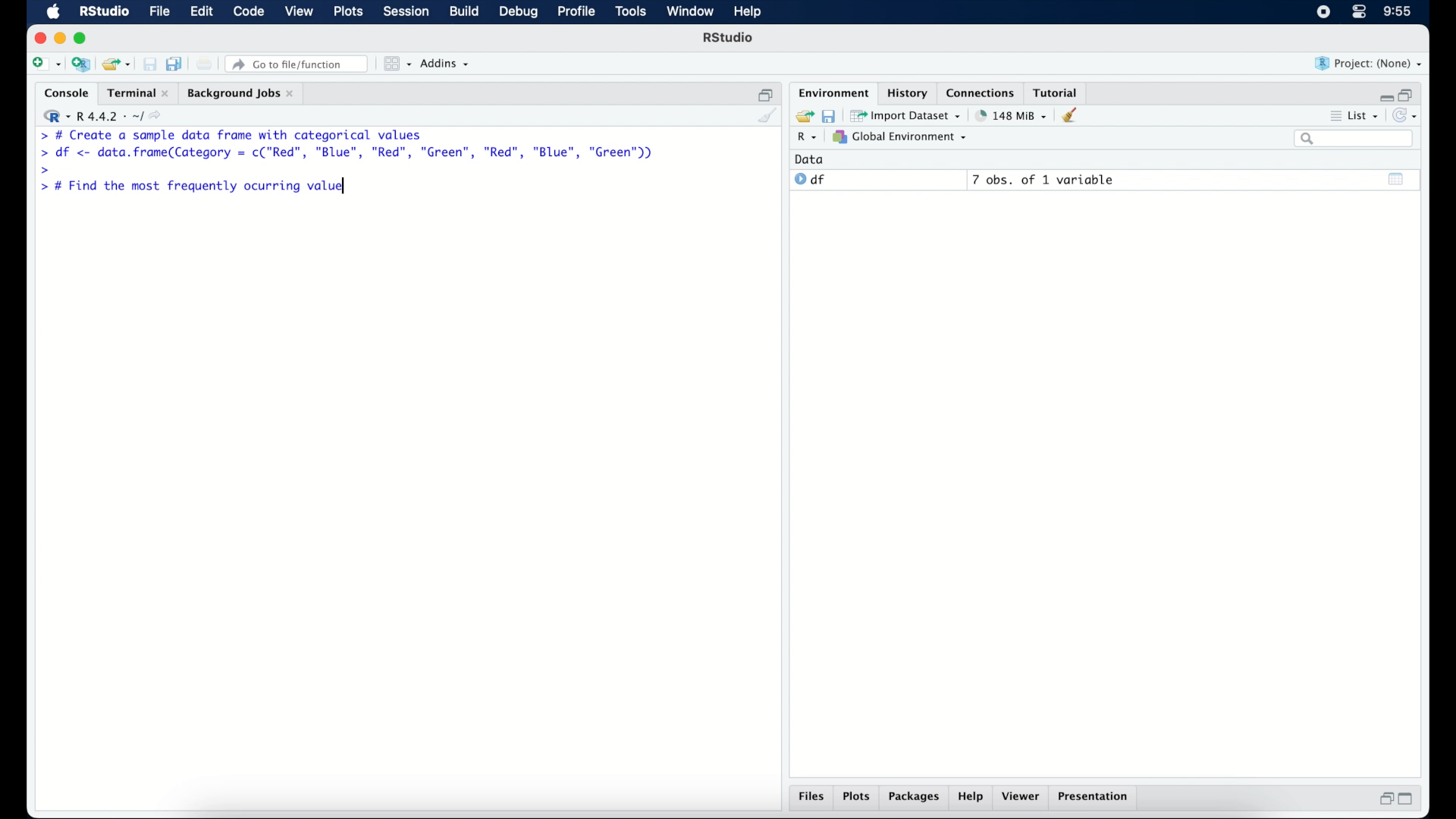 Image resolution: width=1456 pixels, height=819 pixels. Describe the element at coordinates (907, 115) in the screenshot. I see `import dataset` at that location.